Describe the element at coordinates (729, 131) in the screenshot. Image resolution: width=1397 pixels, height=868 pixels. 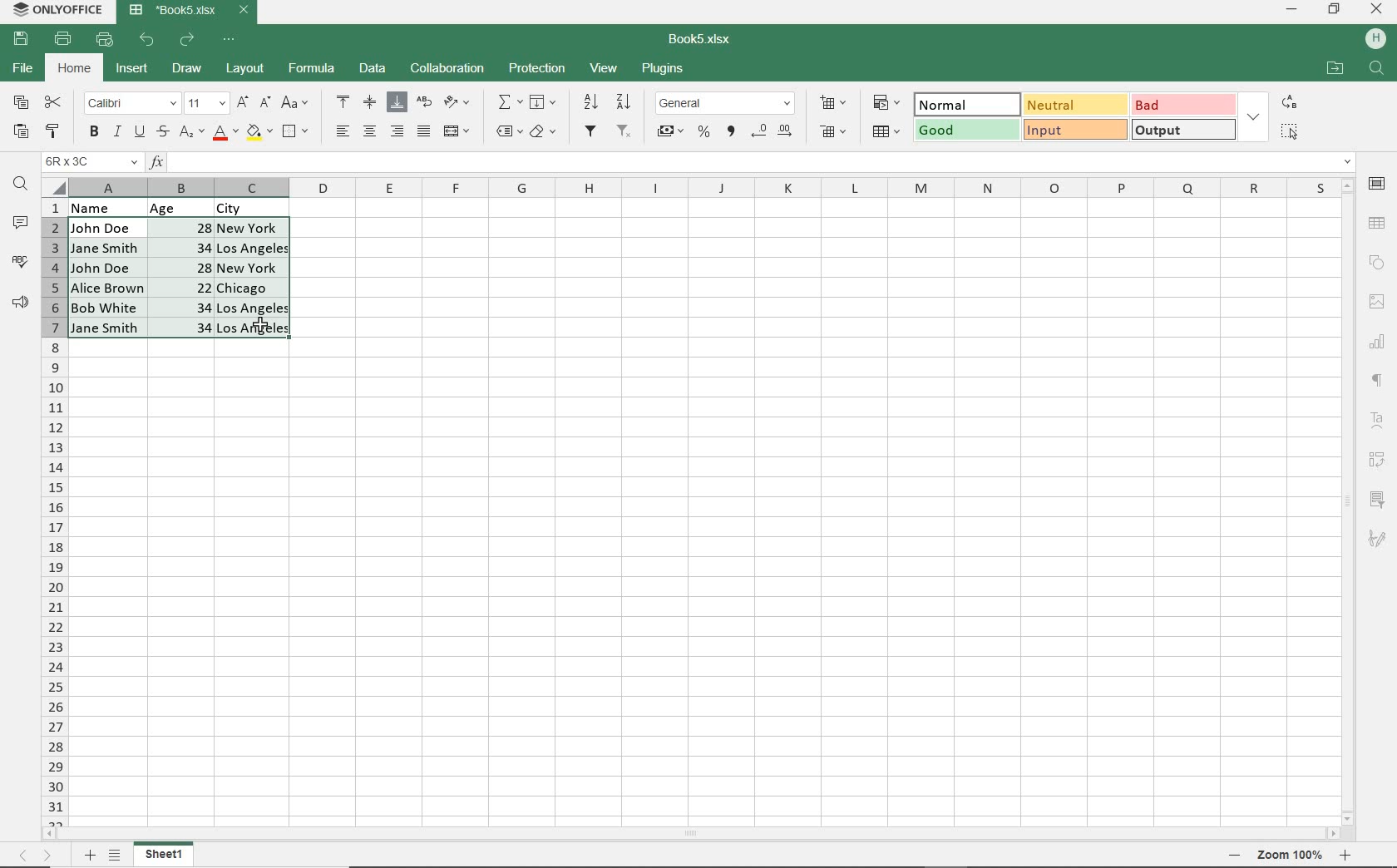
I see `COMMA STYLE` at that location.